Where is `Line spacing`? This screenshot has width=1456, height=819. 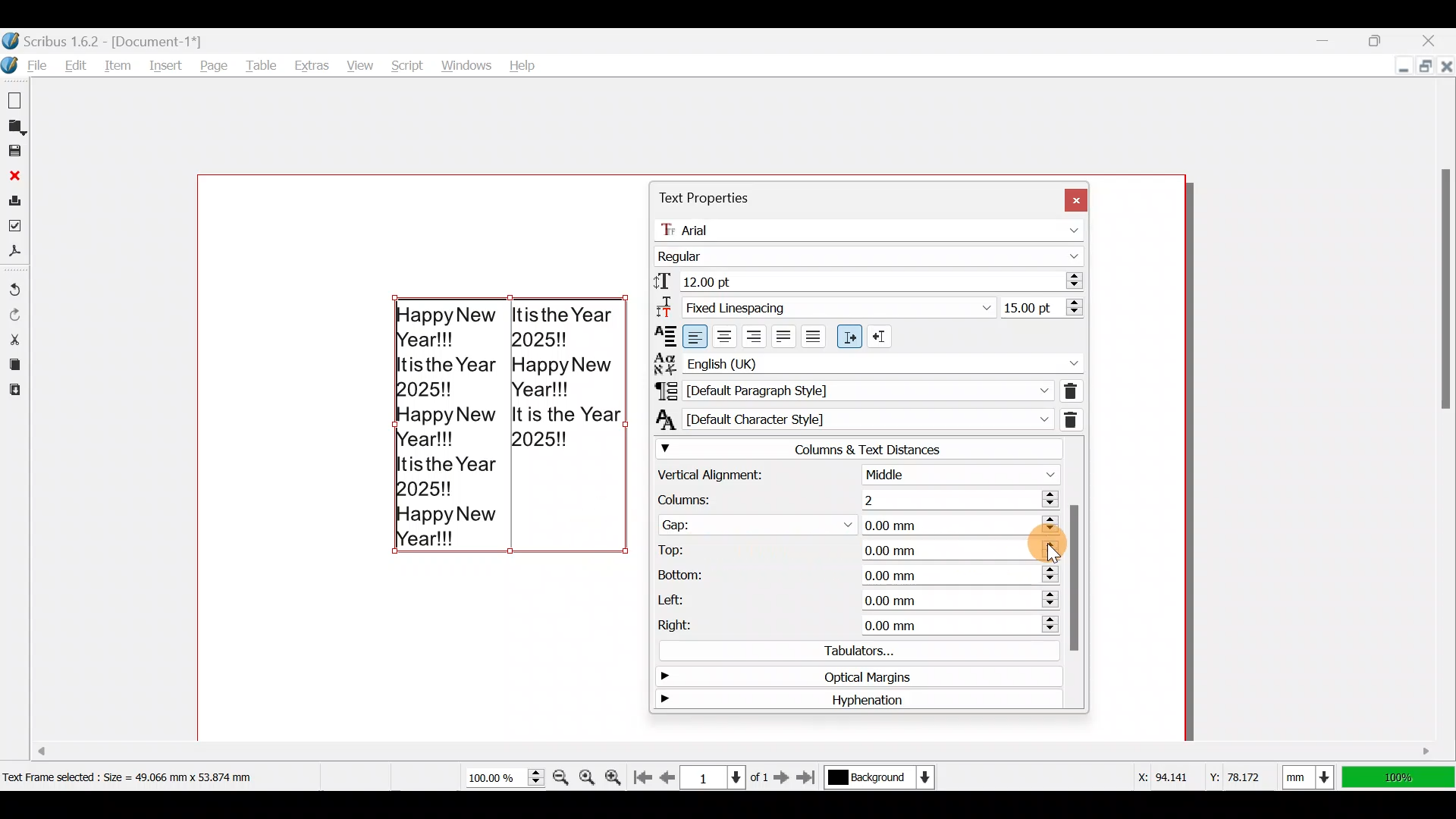
Line spacing is located at coordinates (1042, 307).